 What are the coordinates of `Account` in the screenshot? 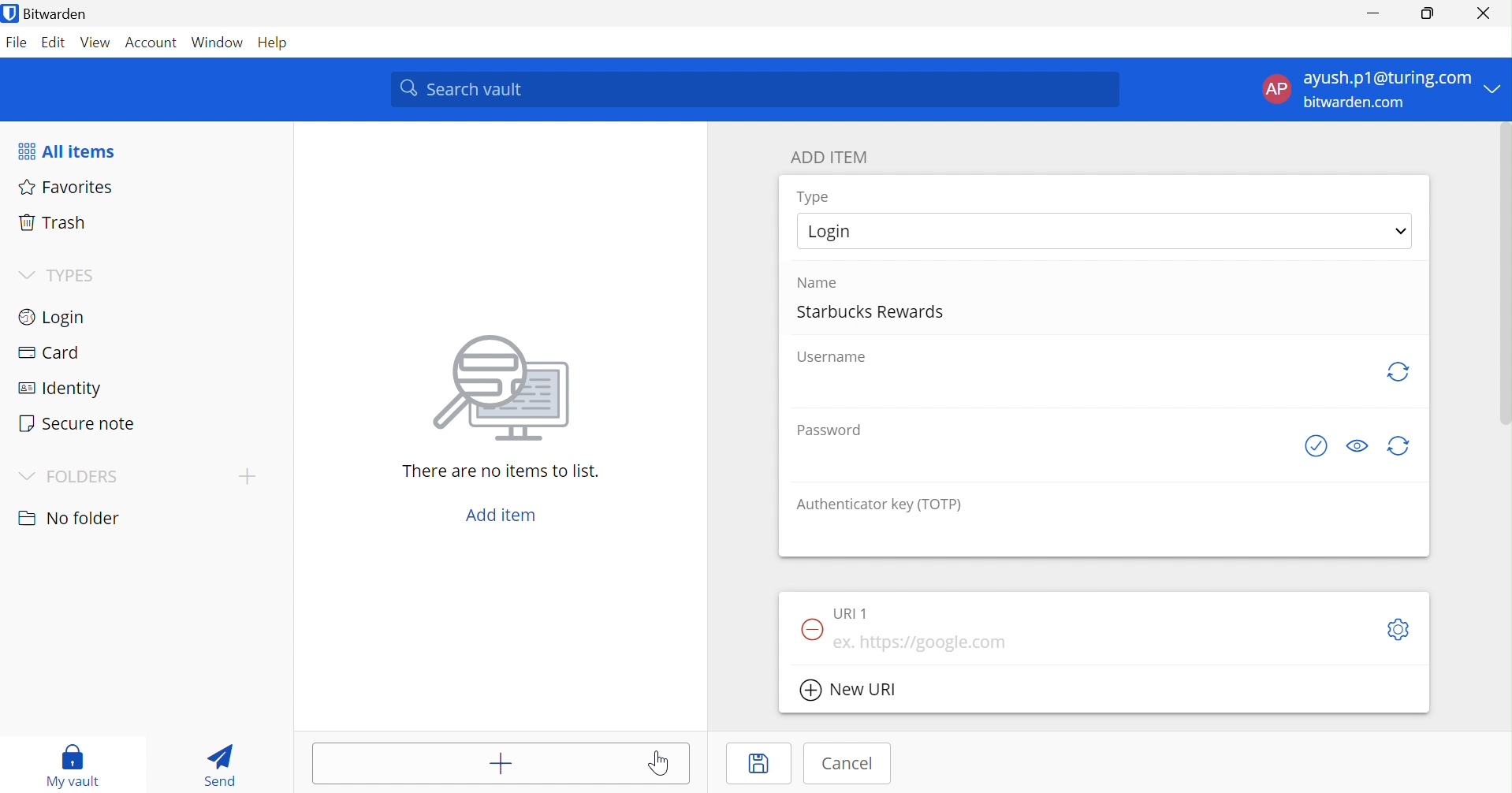 It's located at (154, 43).